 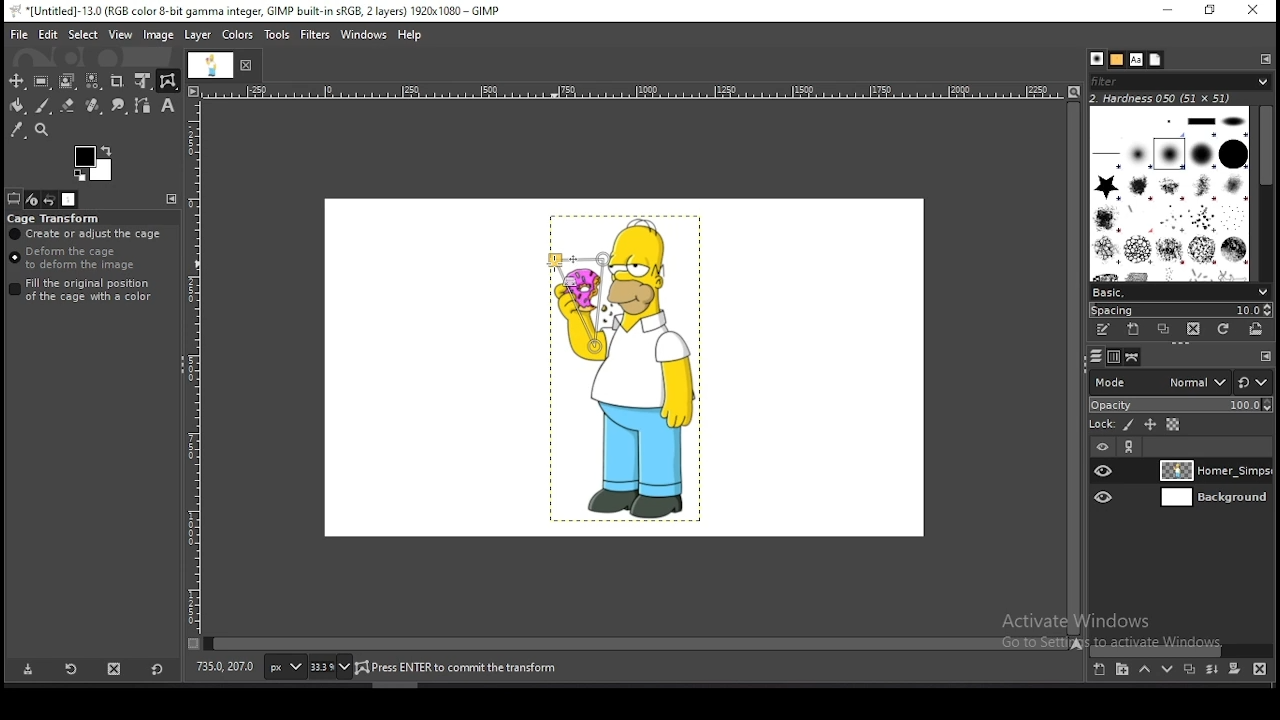 What do you see at coordinates (116, 670) in the screenshot?
I see `delete tool preset` at bounding box center [116, 670].